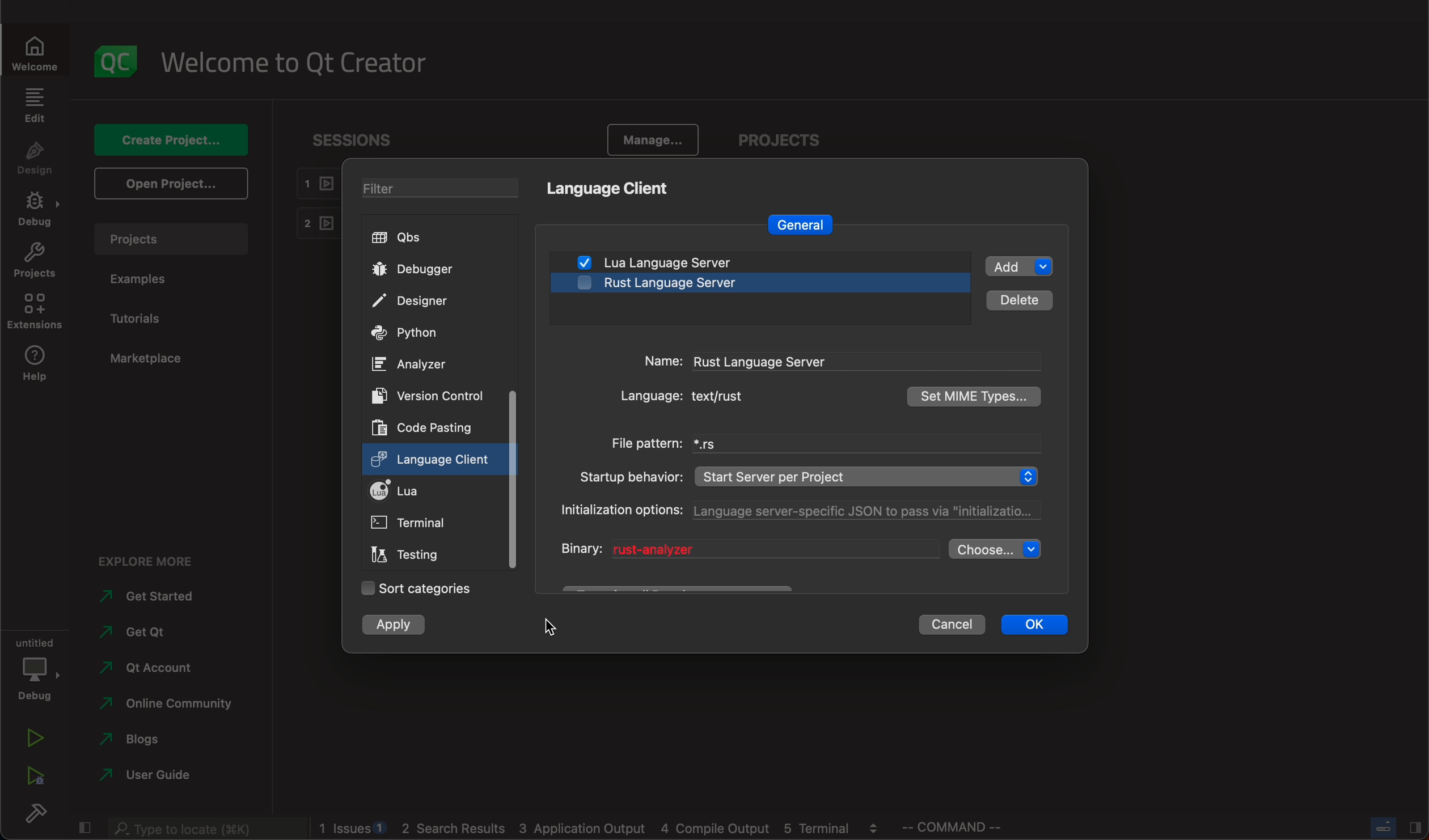 The height and width of the screenshot is (840, 1429). What do you see at coordinates (147, 670) in the screenshot?
I see `account` at bounding box center [147, 670].